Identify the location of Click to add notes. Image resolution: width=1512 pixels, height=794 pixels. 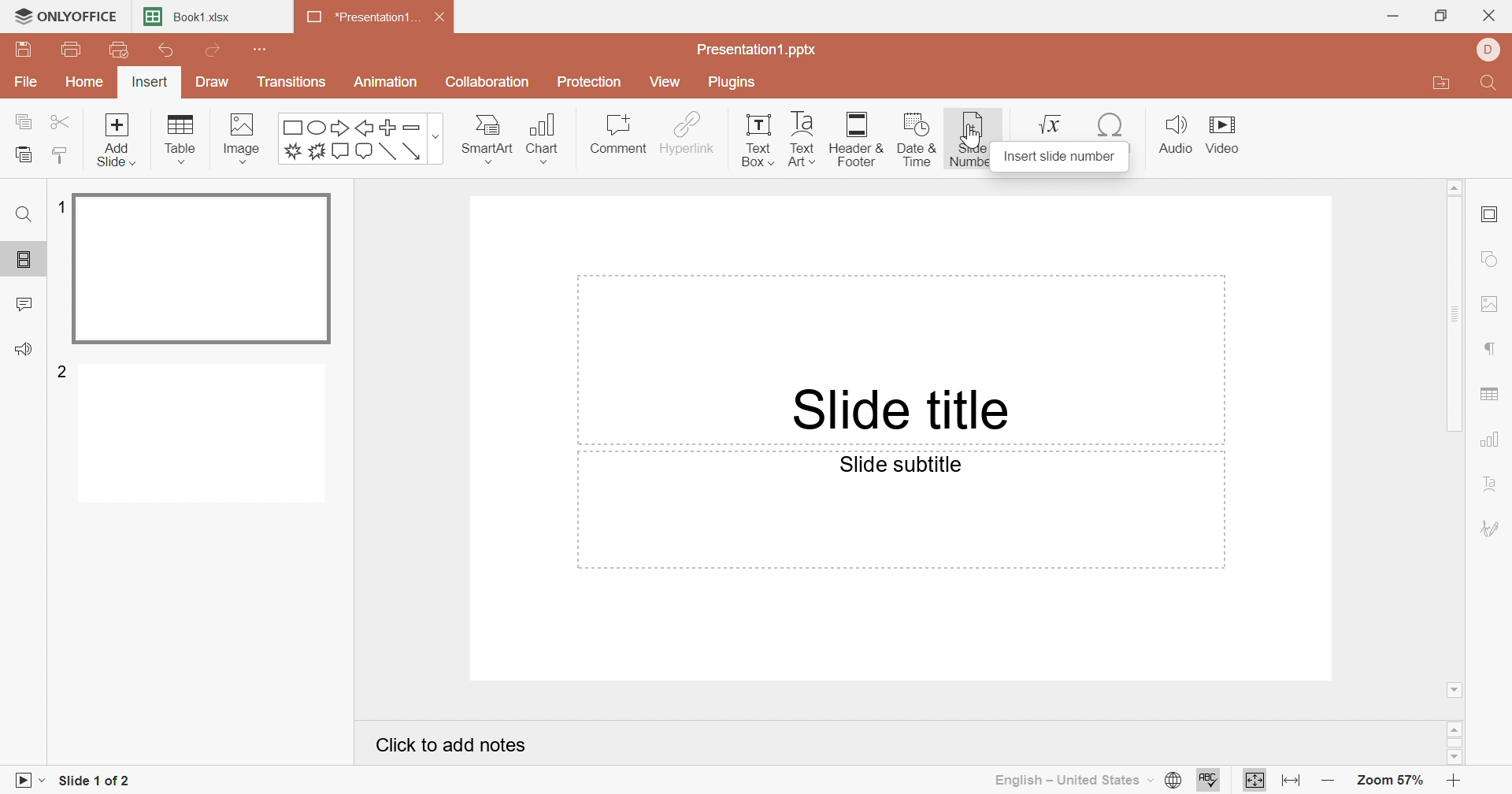
(455, 748).